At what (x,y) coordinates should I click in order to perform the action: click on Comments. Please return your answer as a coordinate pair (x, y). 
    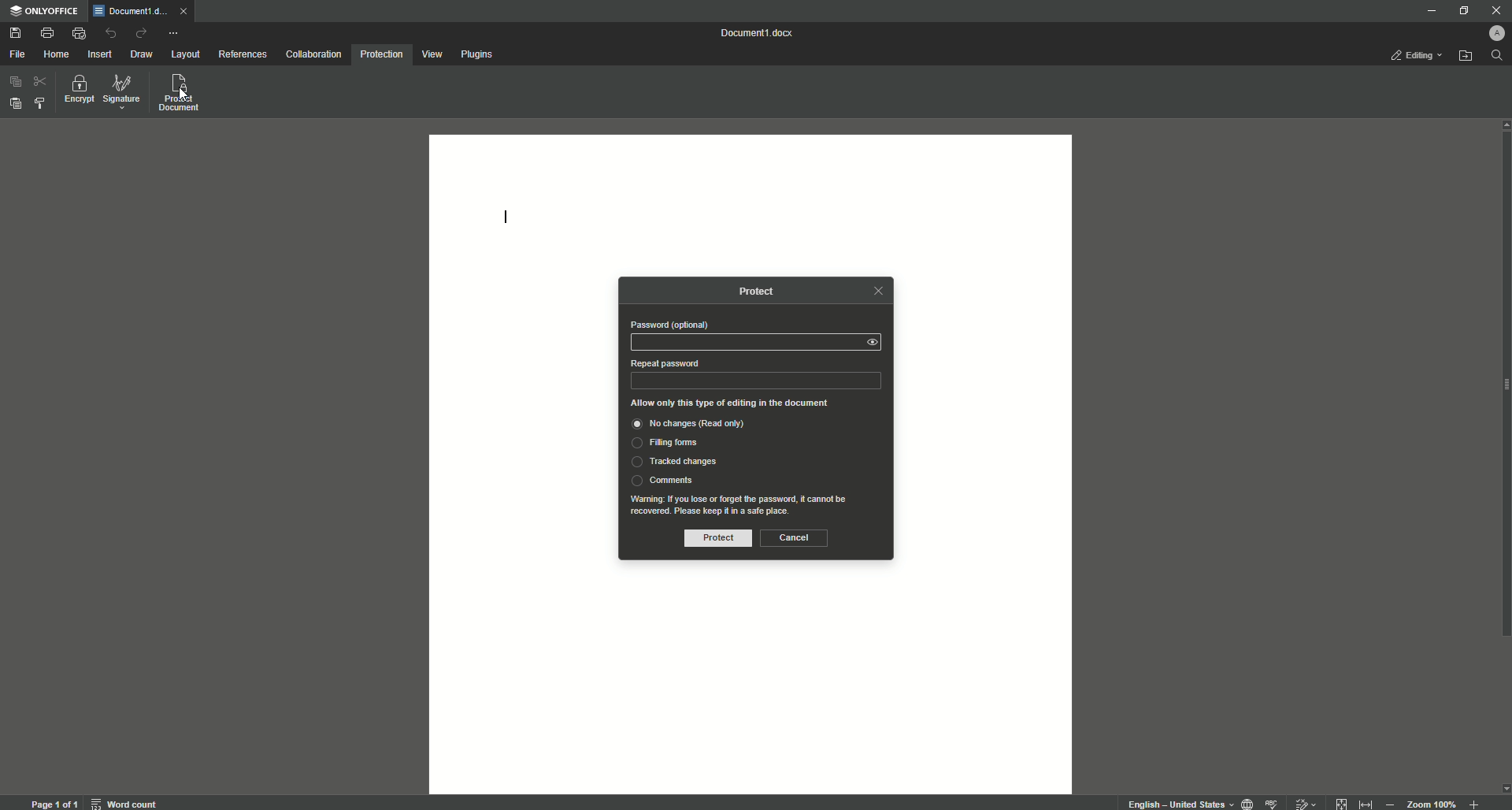
    Looking at the image, I should click on (662, 480).